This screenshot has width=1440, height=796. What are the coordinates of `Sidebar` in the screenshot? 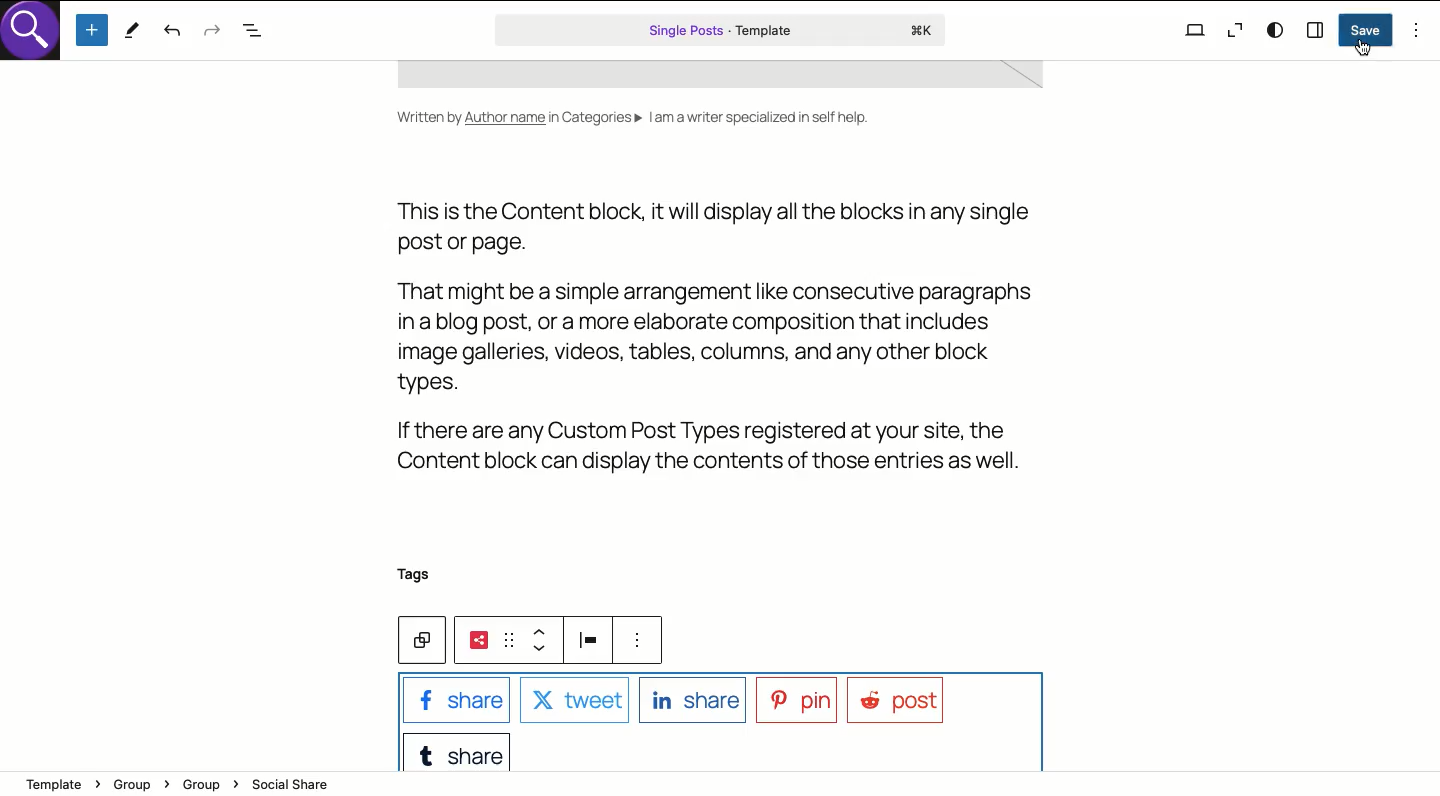 It's located at (1316, 28).